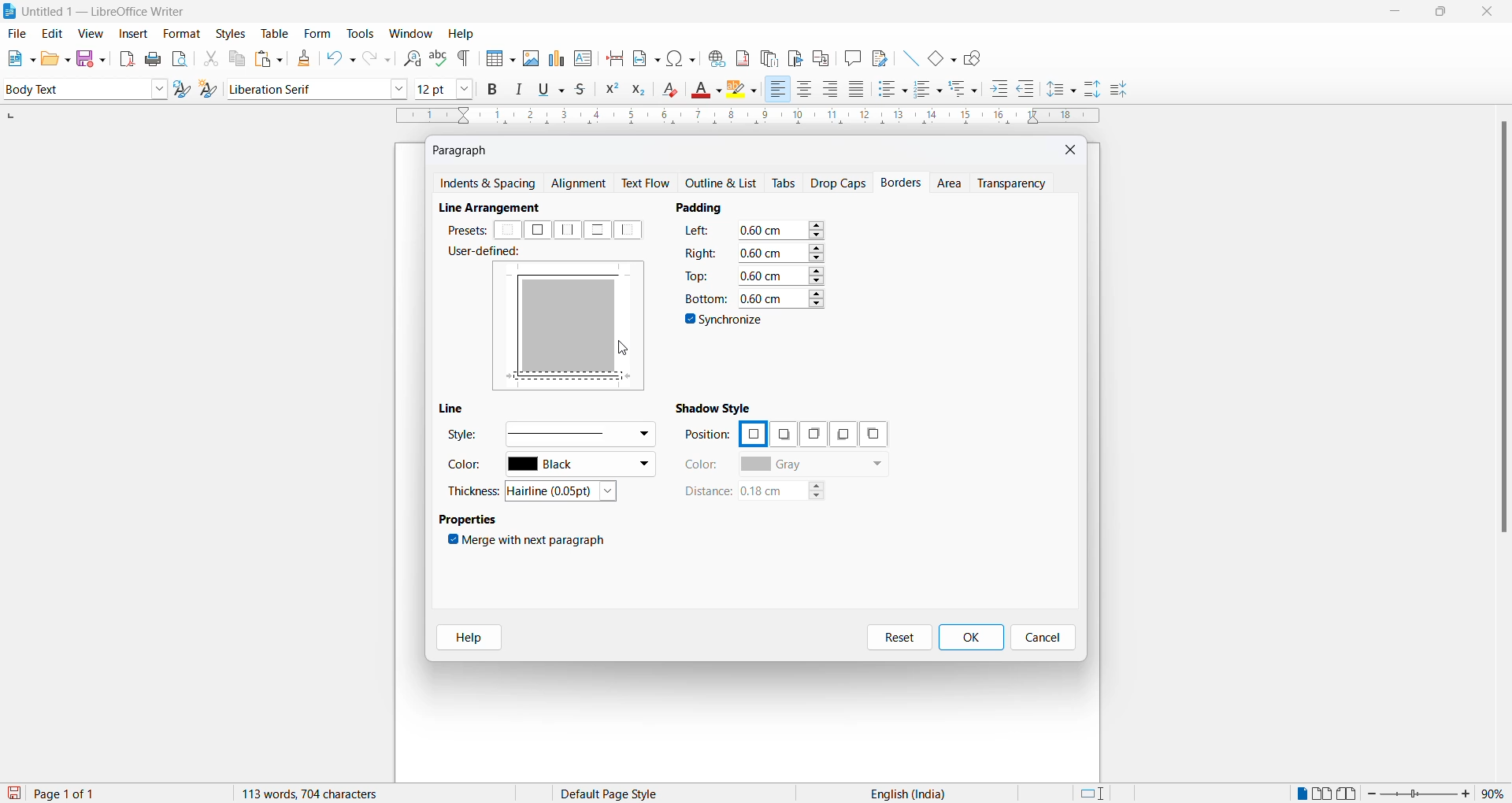  What do you see at coordinates (461, 34) in the screenshot?
I see `help` at bounding box center [461, 34].